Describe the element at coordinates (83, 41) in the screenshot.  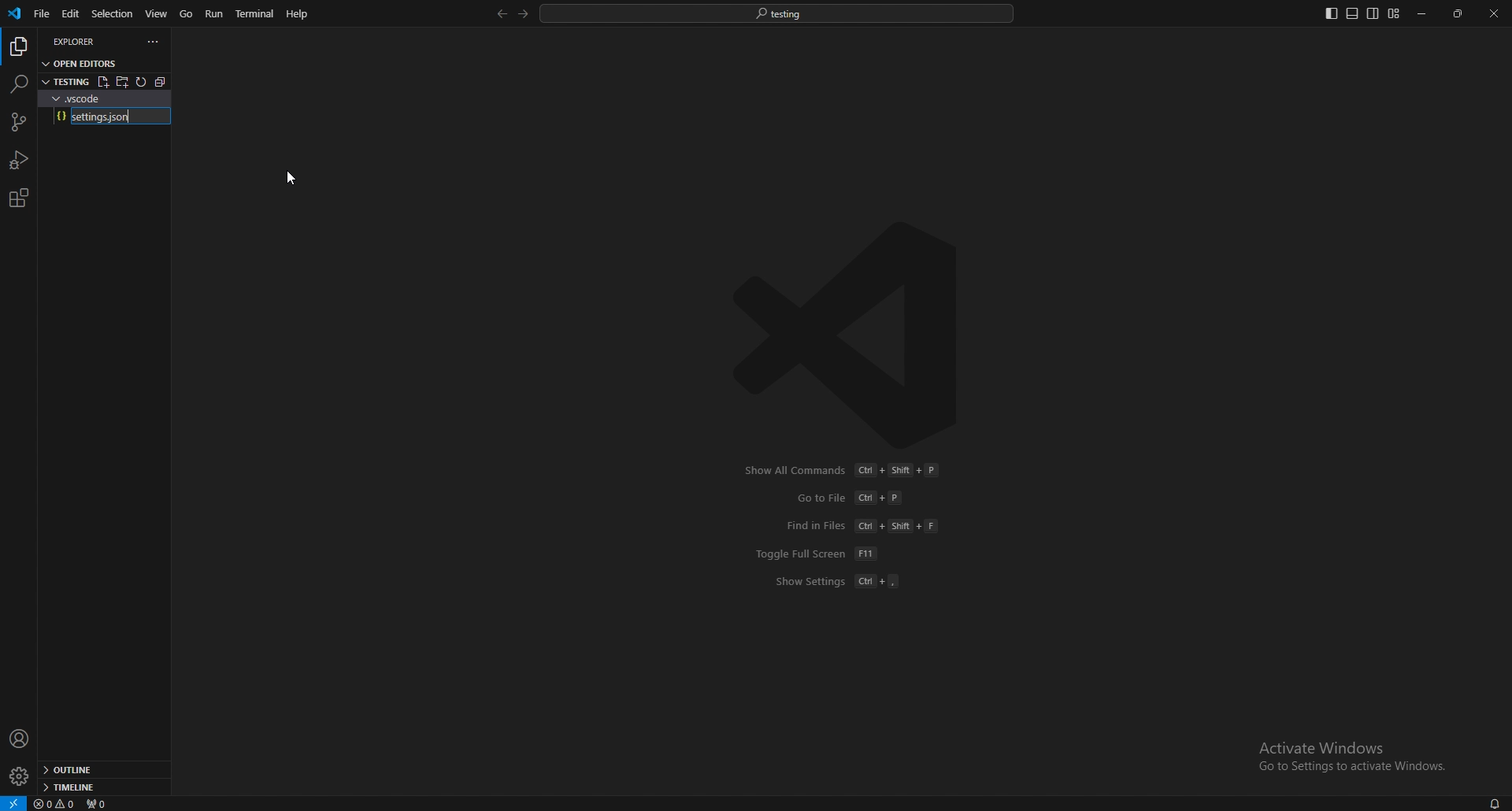
I see `explorer` at that location.